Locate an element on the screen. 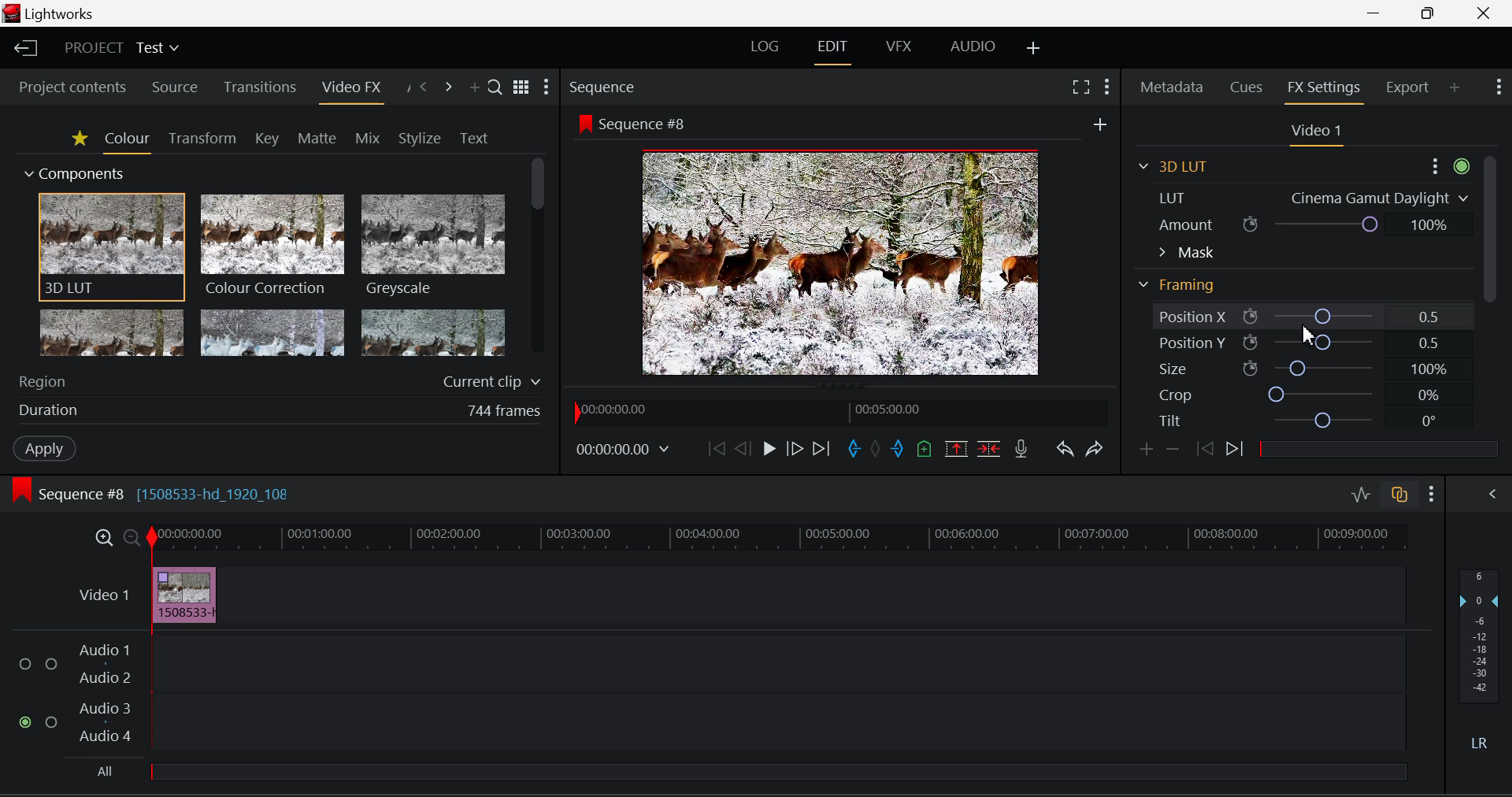 This screenshot has width=1512, height=797. Sequence Preview Section is located at coordinates (603, 87).